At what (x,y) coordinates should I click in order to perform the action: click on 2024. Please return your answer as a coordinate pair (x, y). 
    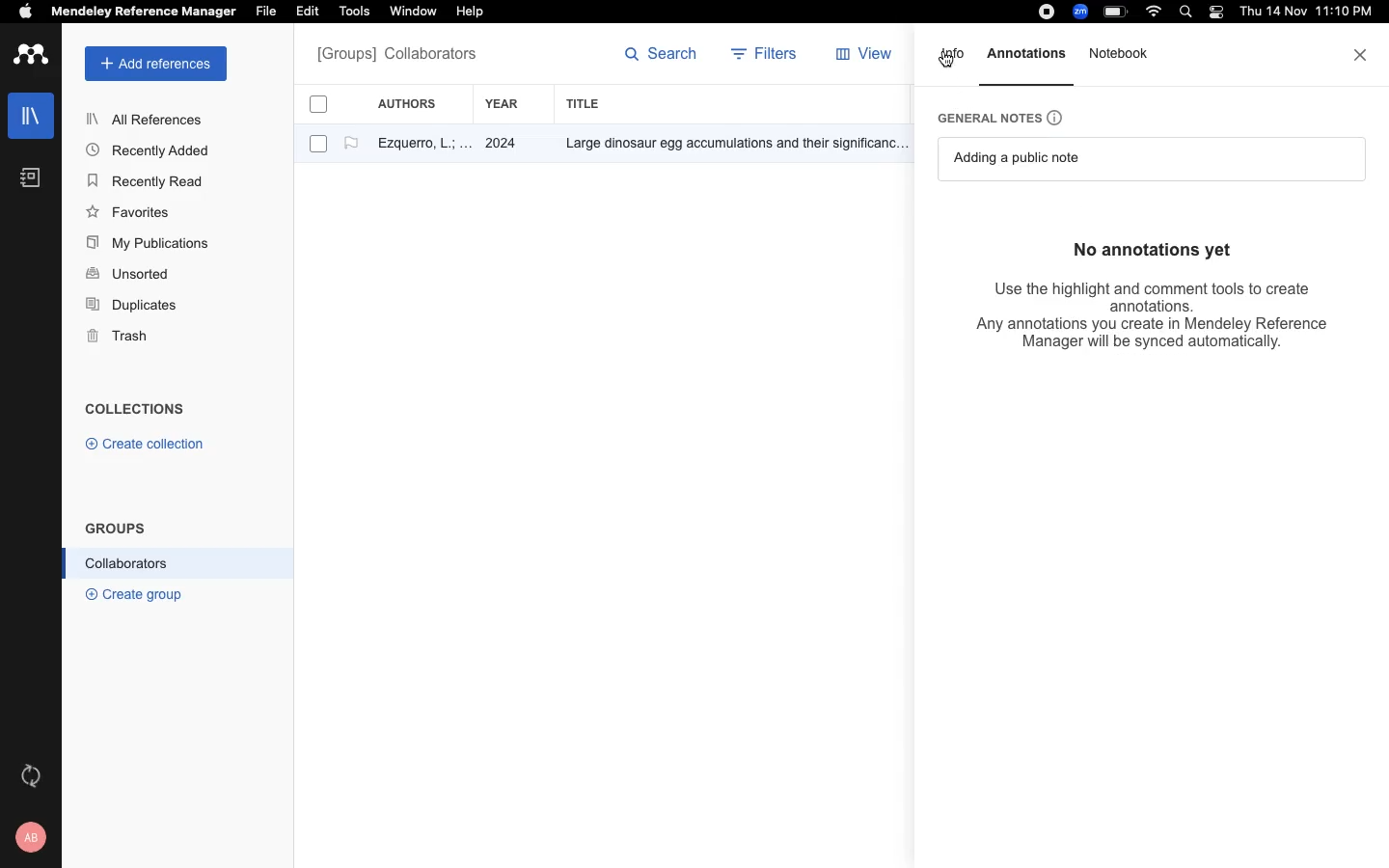
    Looking at the image, I should click on (504, 145).